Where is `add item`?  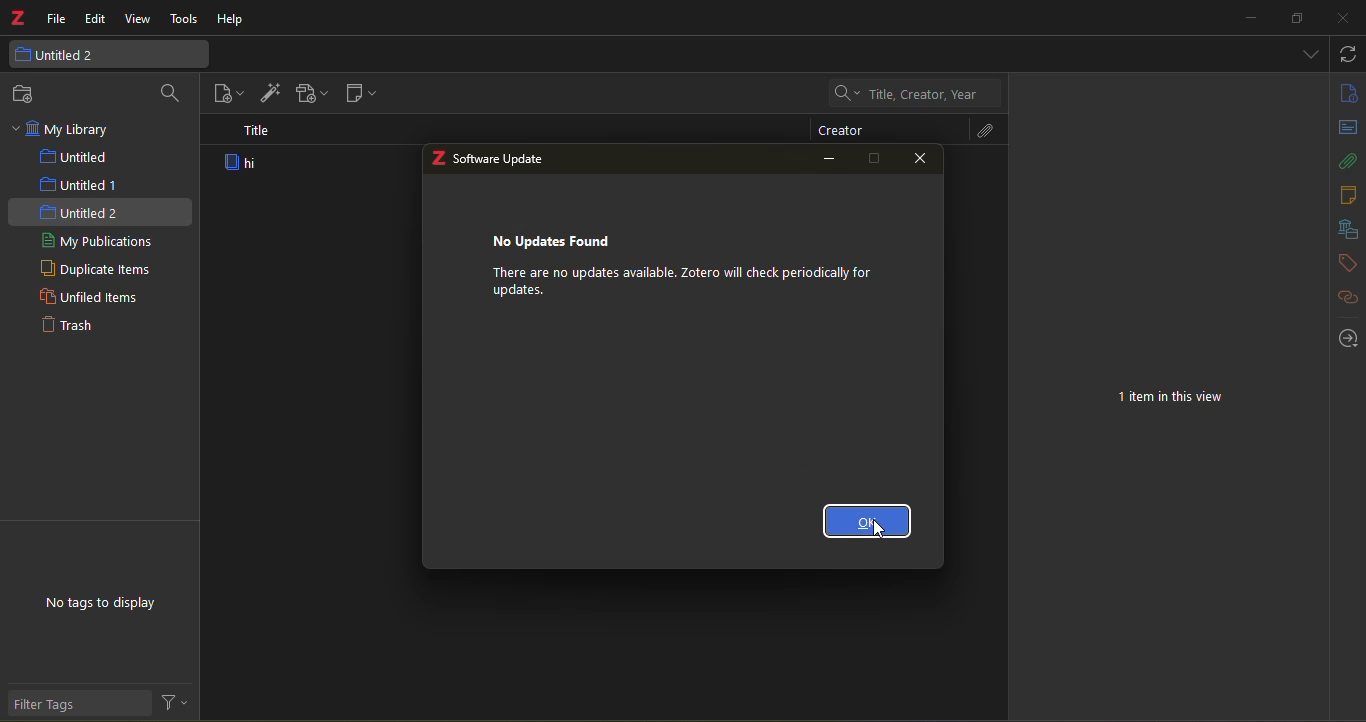 add item is located at coordinates (268, 93).